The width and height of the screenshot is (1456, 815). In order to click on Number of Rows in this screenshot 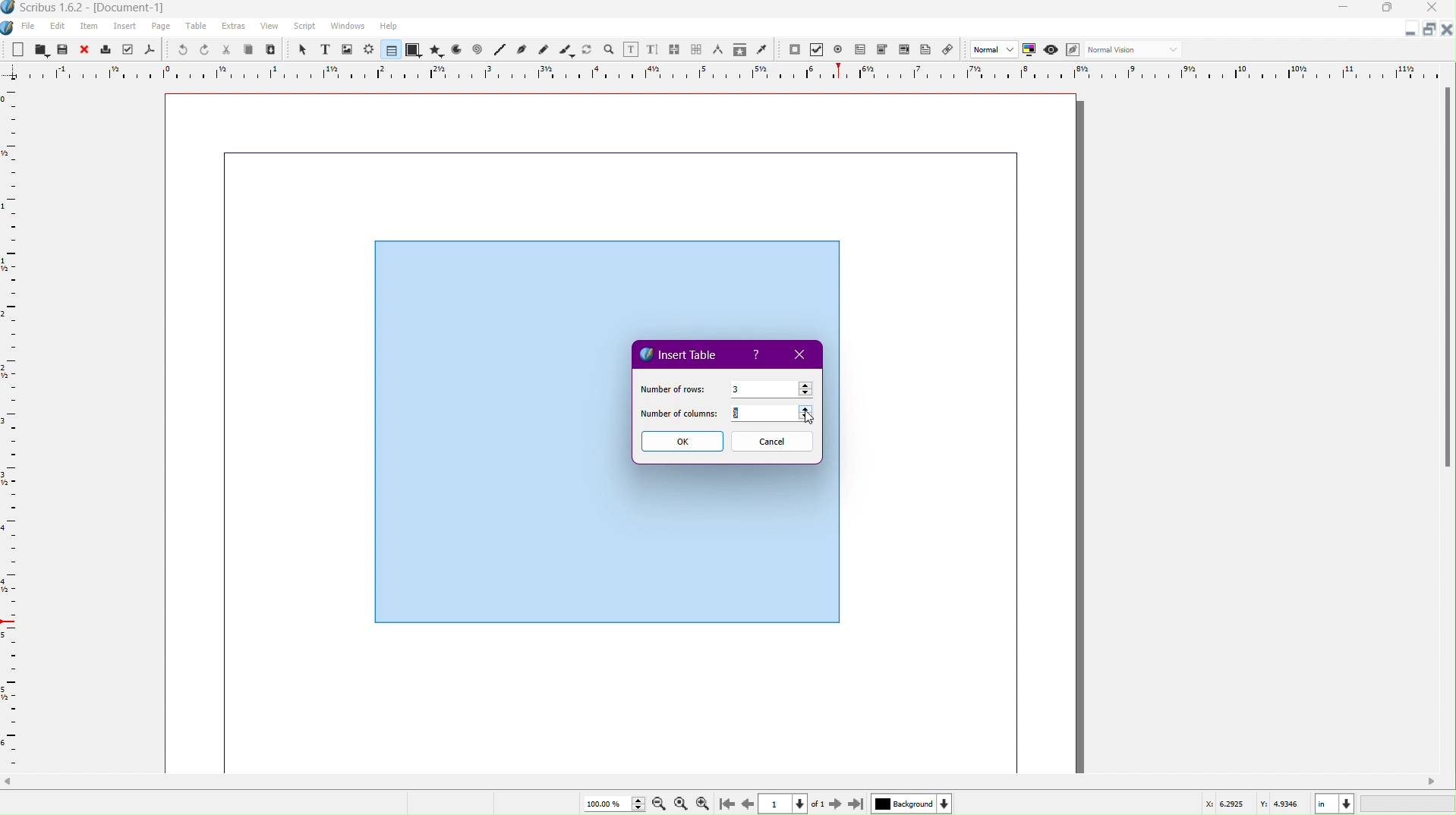, I will do `click(671, 388)`.